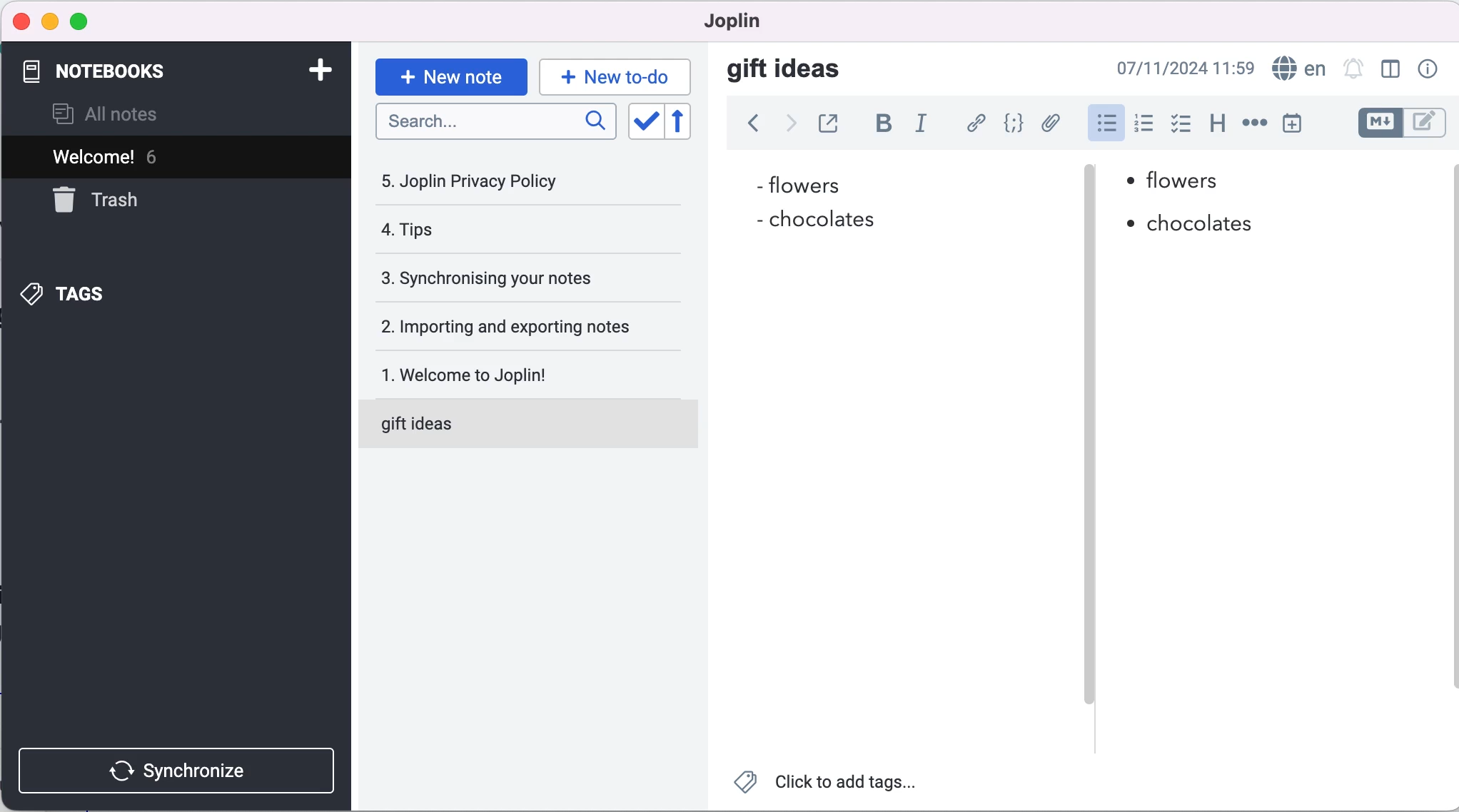 The image size is (1459, 812). I want to click on vertical slider, so click(1089, 213).